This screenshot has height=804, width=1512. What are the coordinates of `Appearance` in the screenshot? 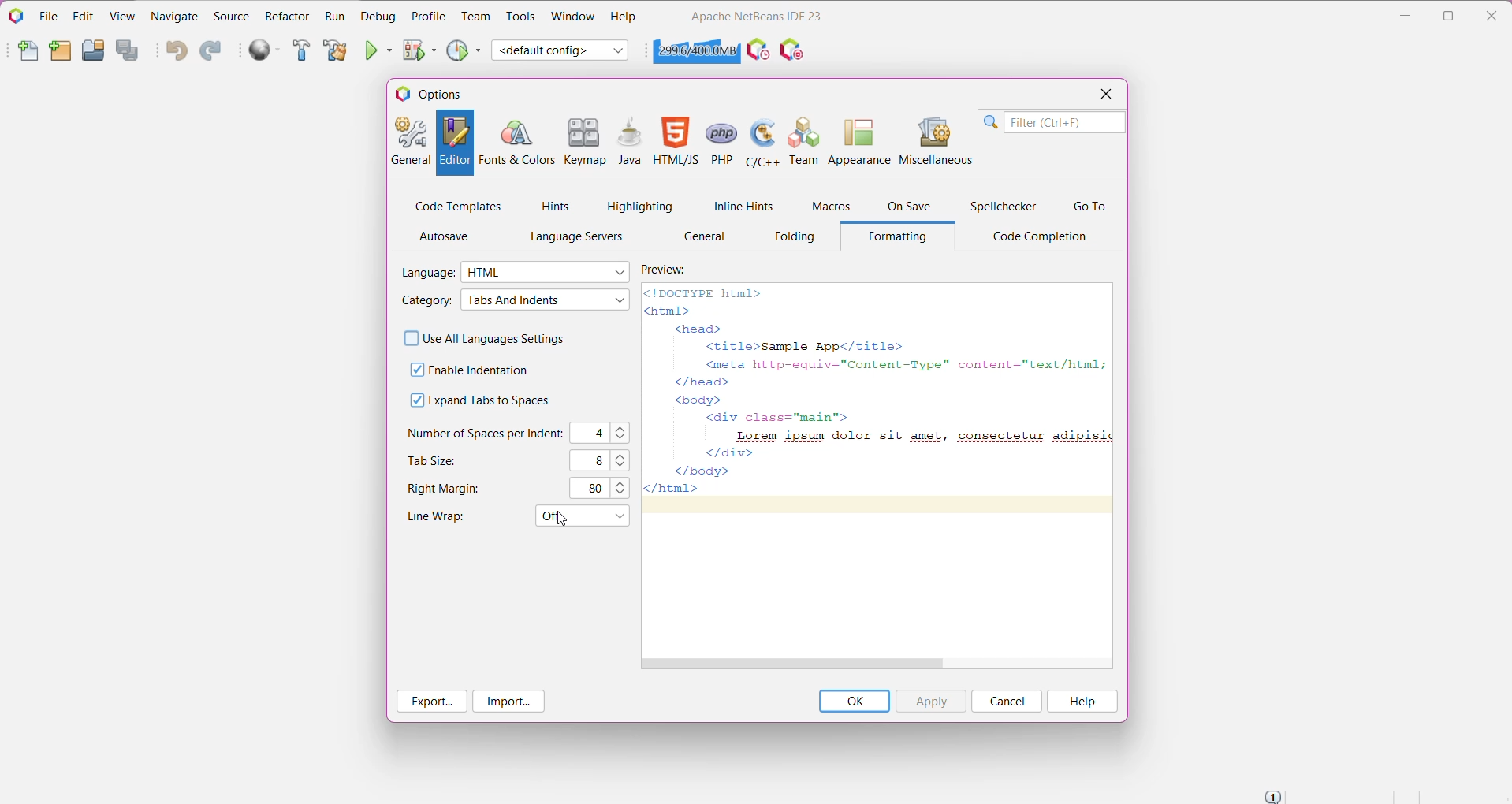 It's located at (858, 140).